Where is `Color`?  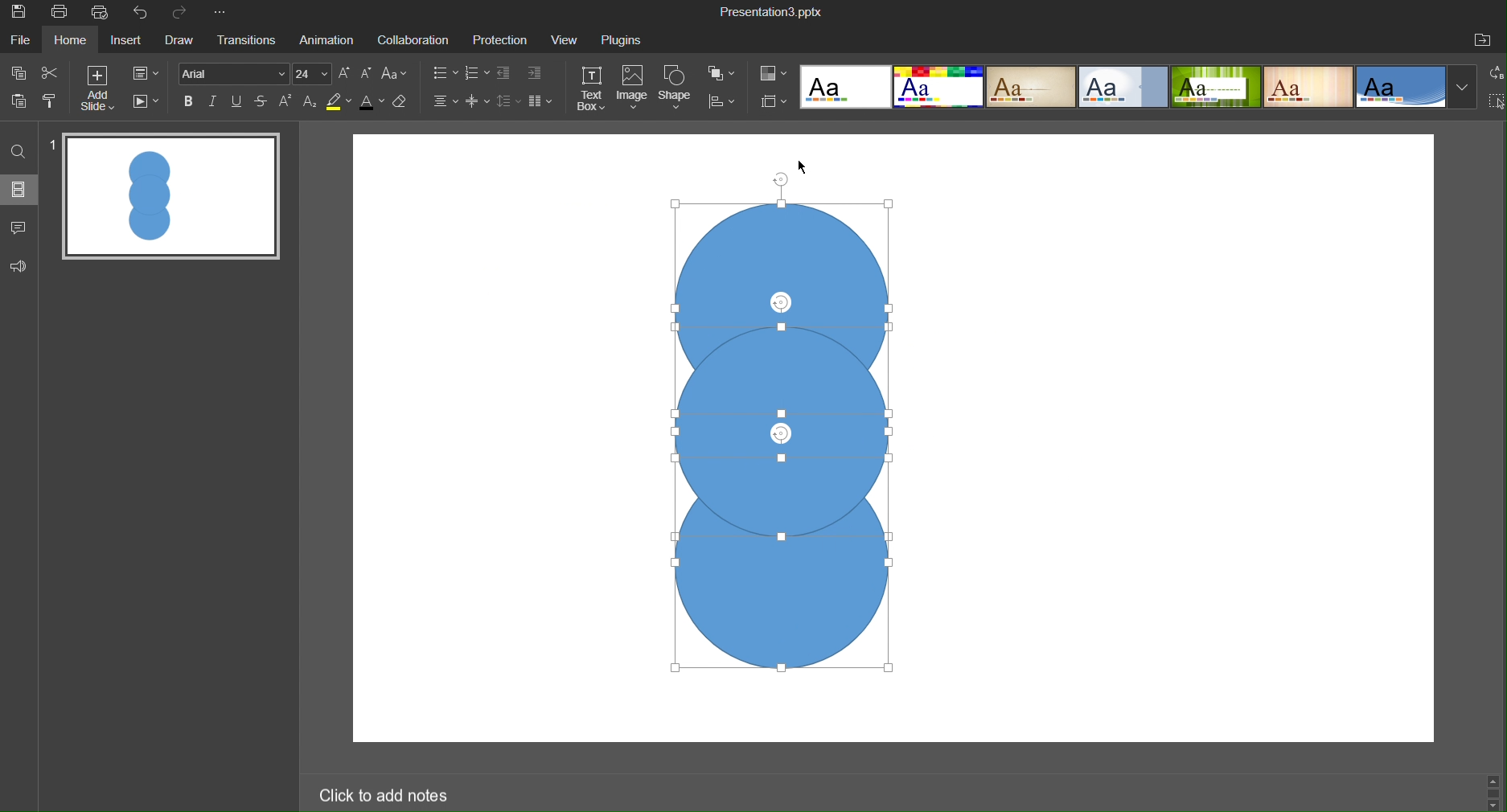
Color is located at coordinates (774, 72).